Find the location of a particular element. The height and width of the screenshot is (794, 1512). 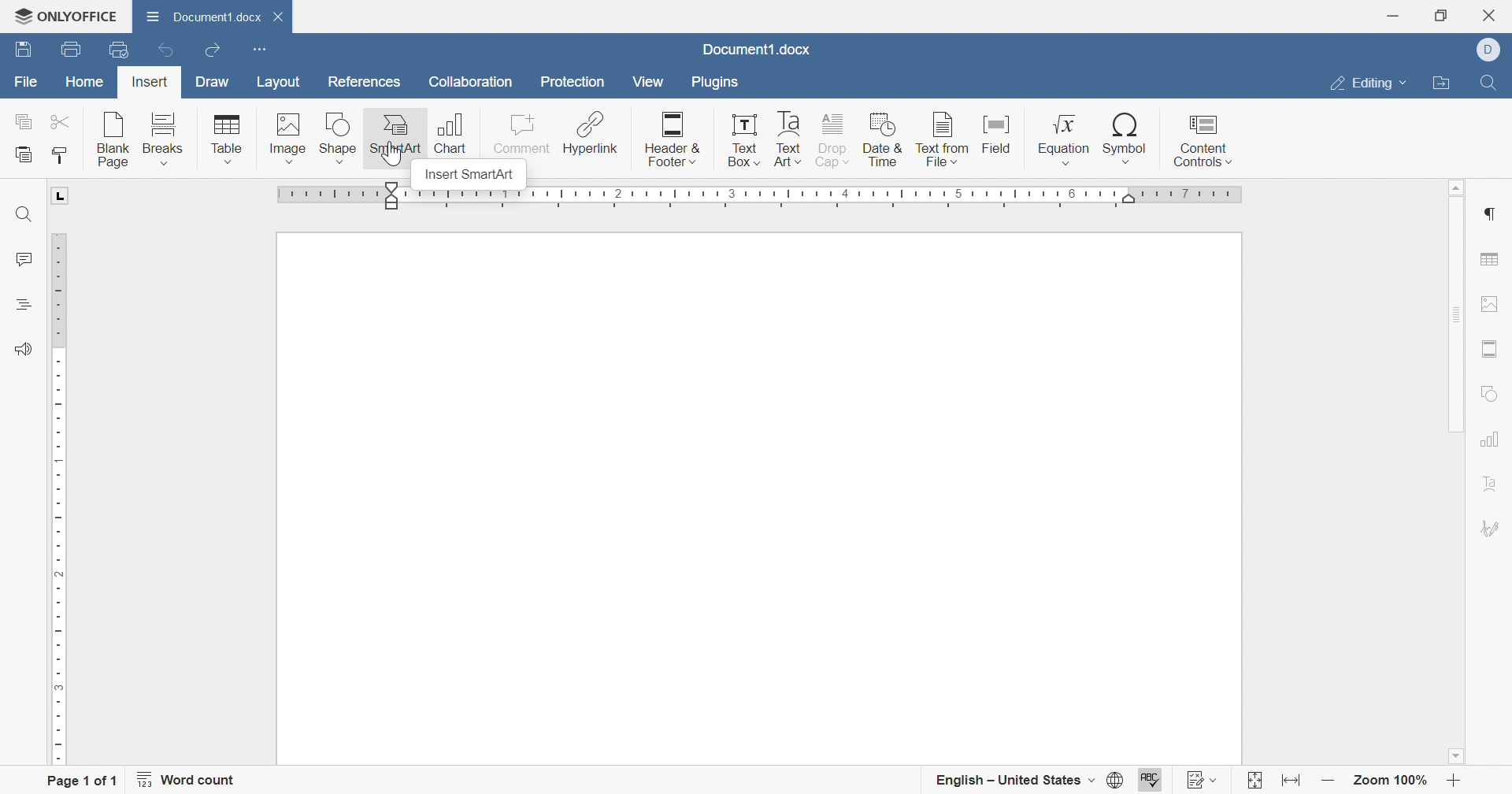

ONLYOFFICE is located at coordinates (67, 16).